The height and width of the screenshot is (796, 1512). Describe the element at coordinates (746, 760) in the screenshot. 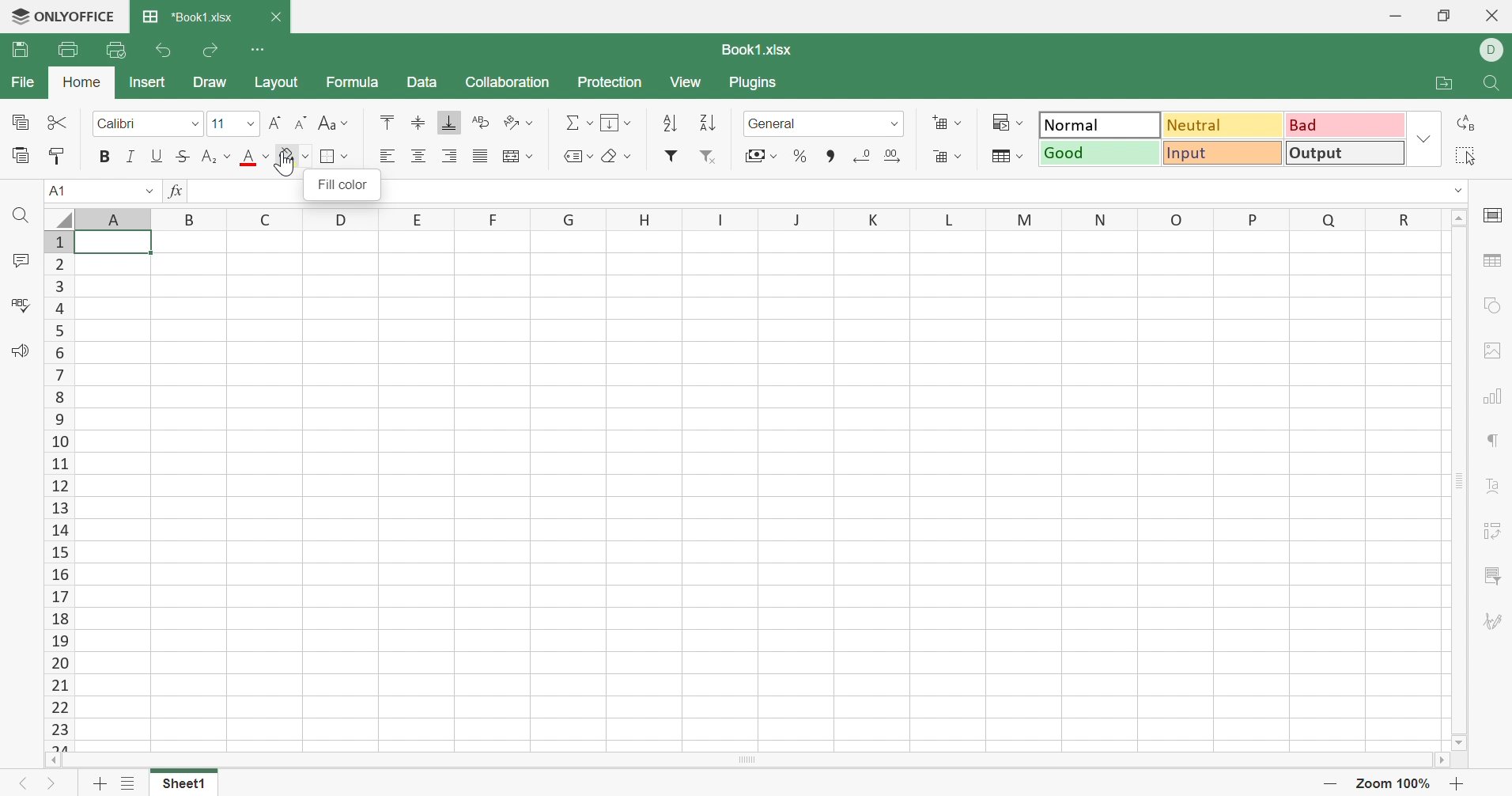

I see `Scroll Bar` at that location.